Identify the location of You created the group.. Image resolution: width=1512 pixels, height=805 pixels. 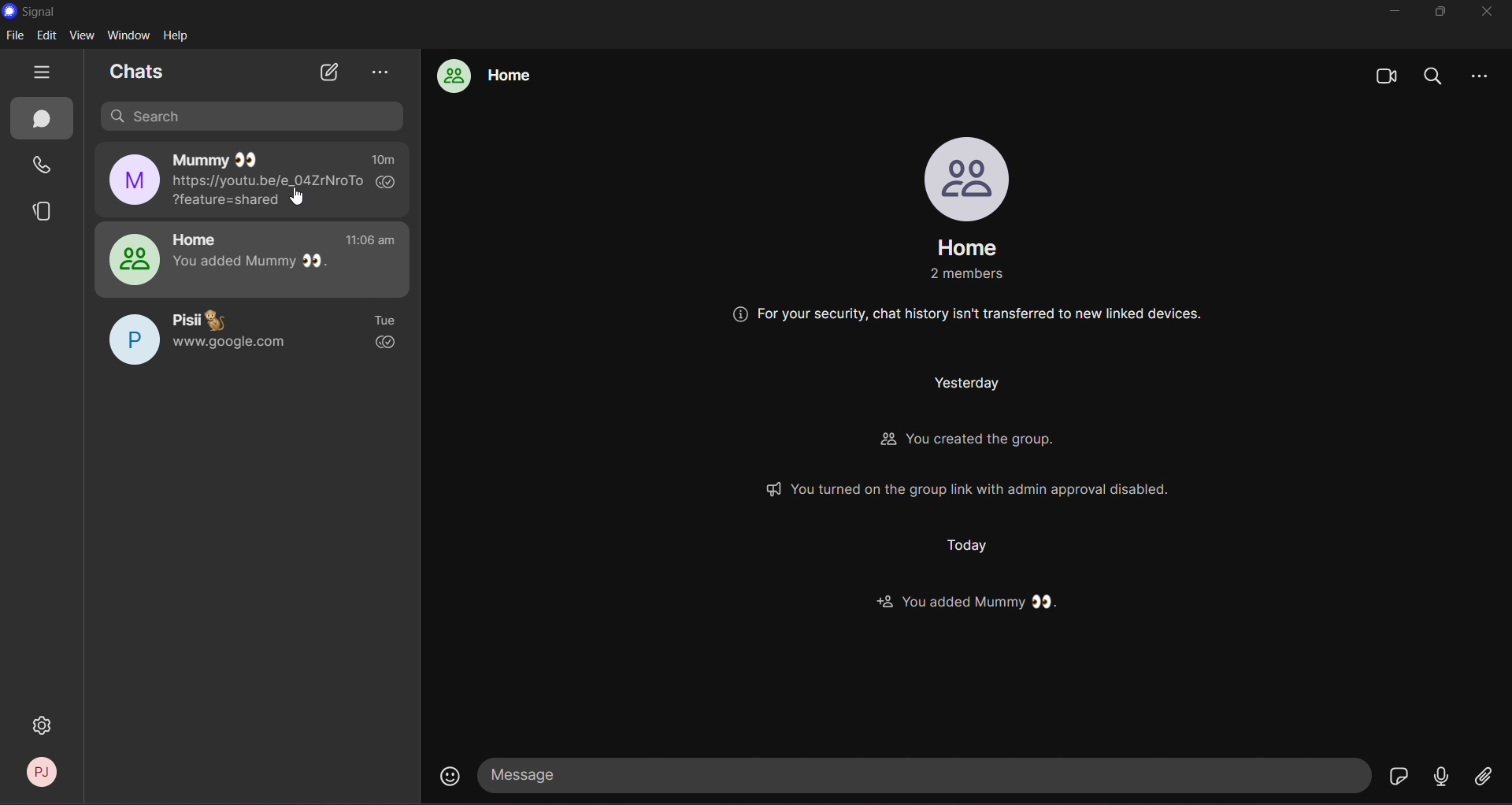
(955, 442).